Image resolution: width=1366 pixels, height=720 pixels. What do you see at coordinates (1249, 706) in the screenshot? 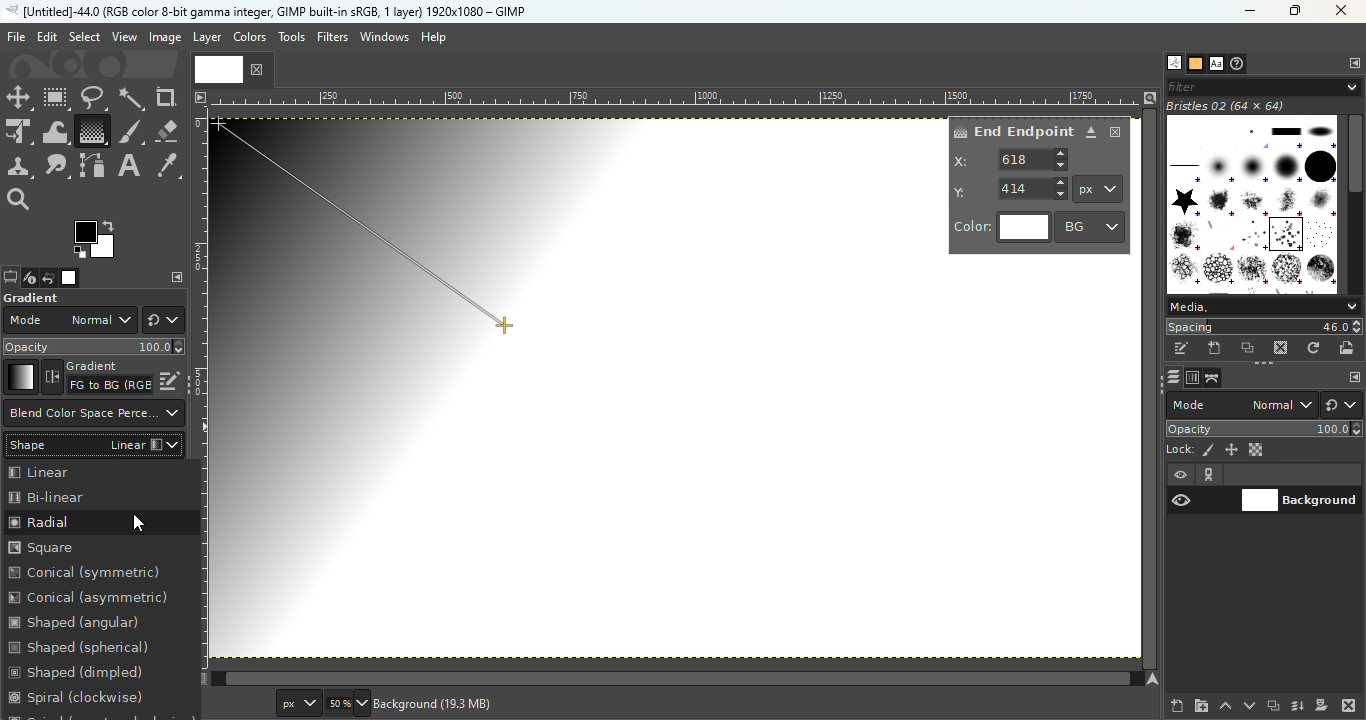
I see `Lower this layer one step in the layer stack` at bounding box center [1249, 706].